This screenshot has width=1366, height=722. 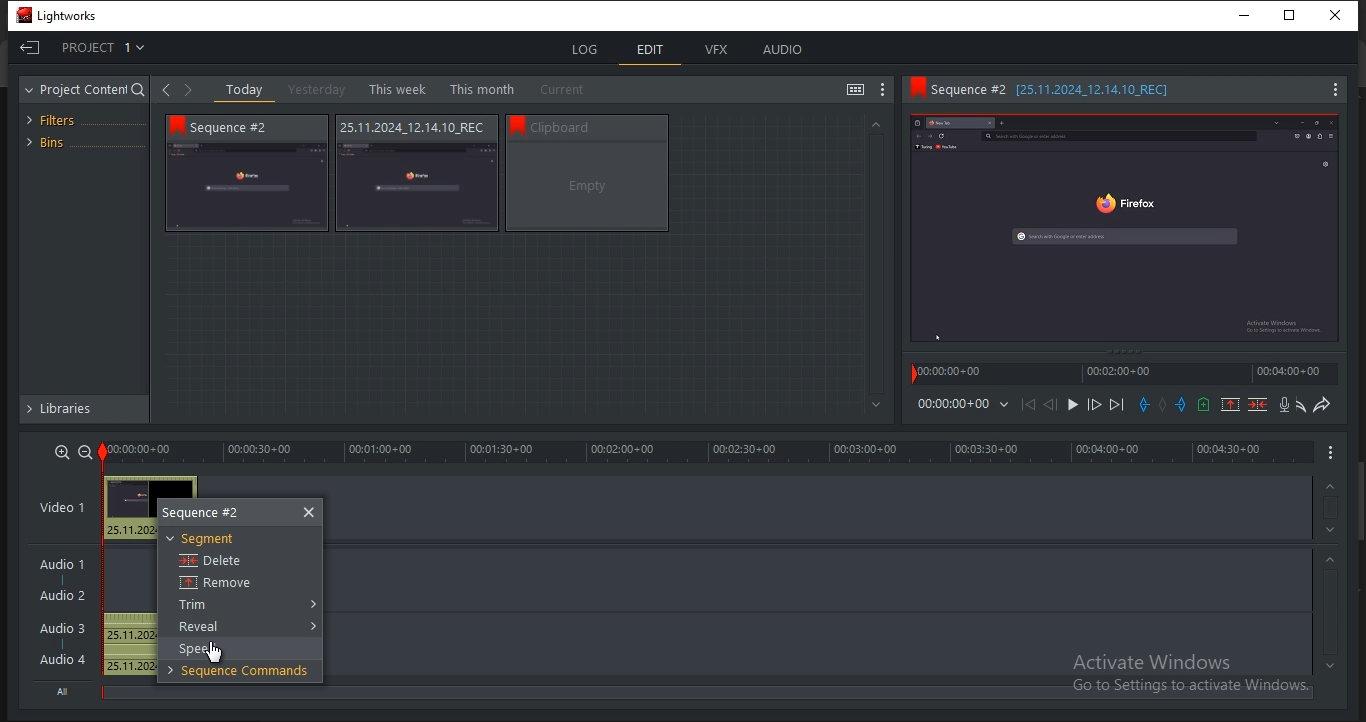 I want to click on timeline navigation up arrow, so click(x=1330, y=559).